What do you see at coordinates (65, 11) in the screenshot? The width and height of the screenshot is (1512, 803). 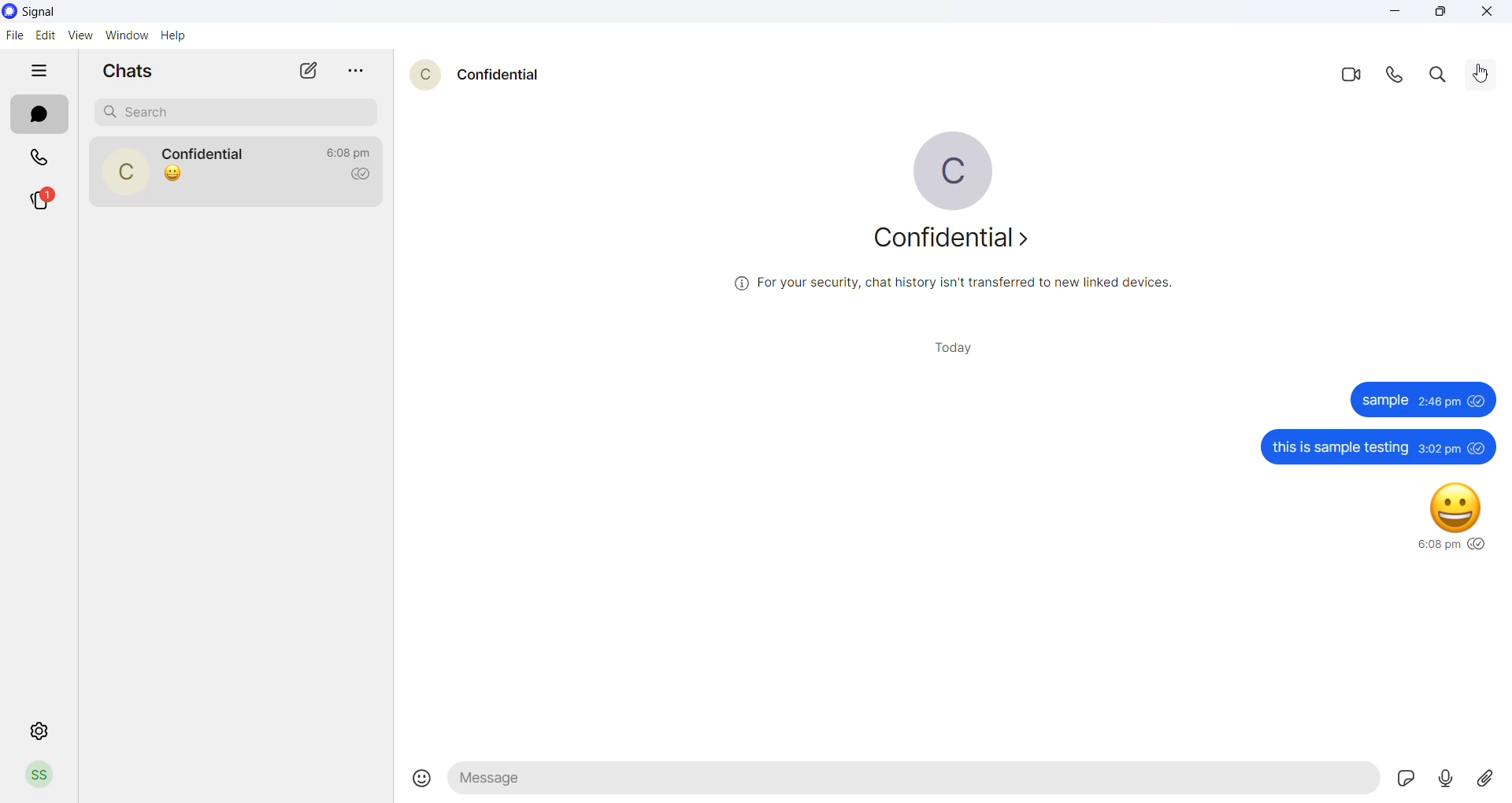 I see `application logo and name` at bounding box center [65, 11].